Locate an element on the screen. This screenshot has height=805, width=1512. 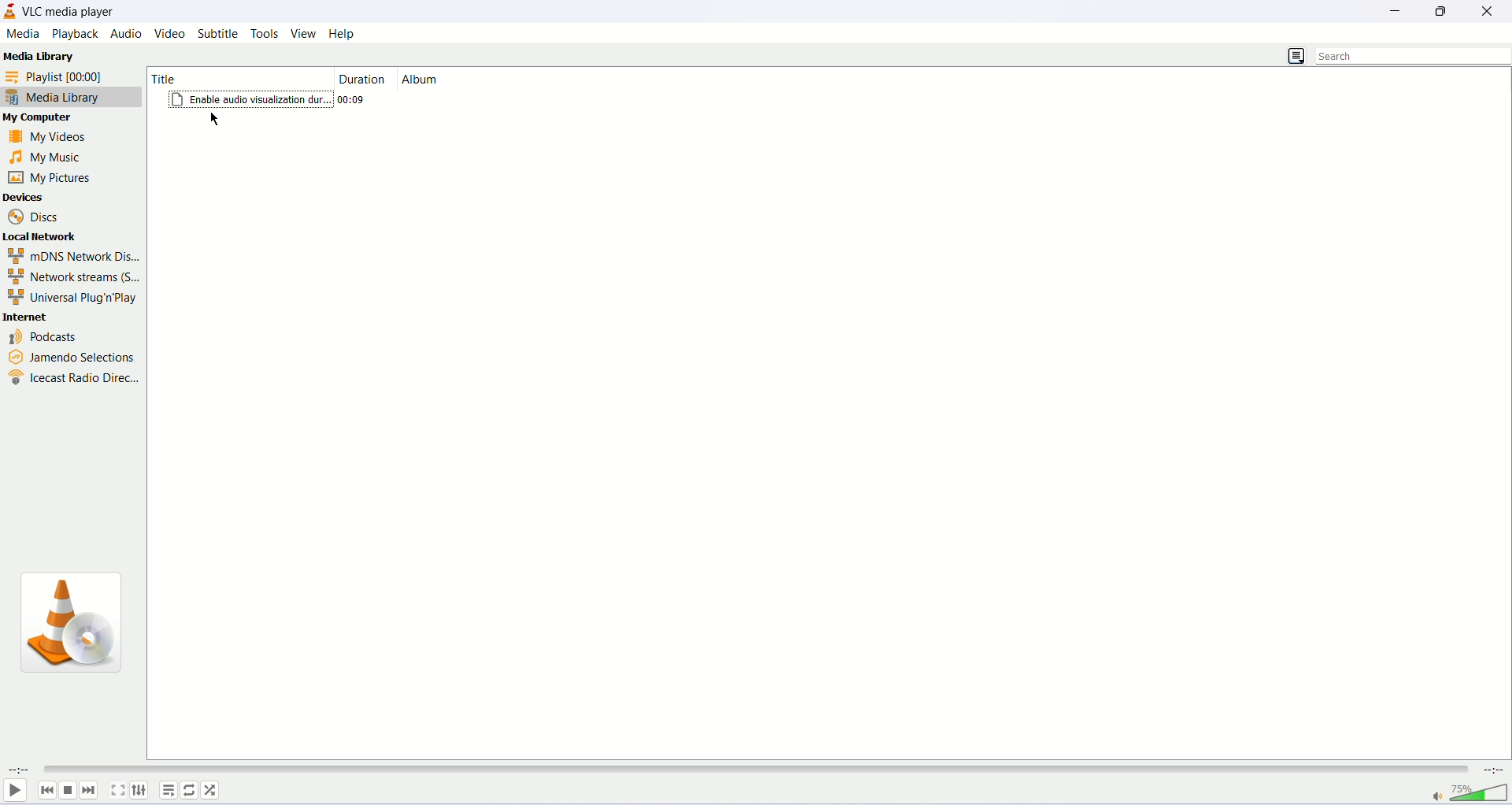
my music is located at coordinates (57, 158).